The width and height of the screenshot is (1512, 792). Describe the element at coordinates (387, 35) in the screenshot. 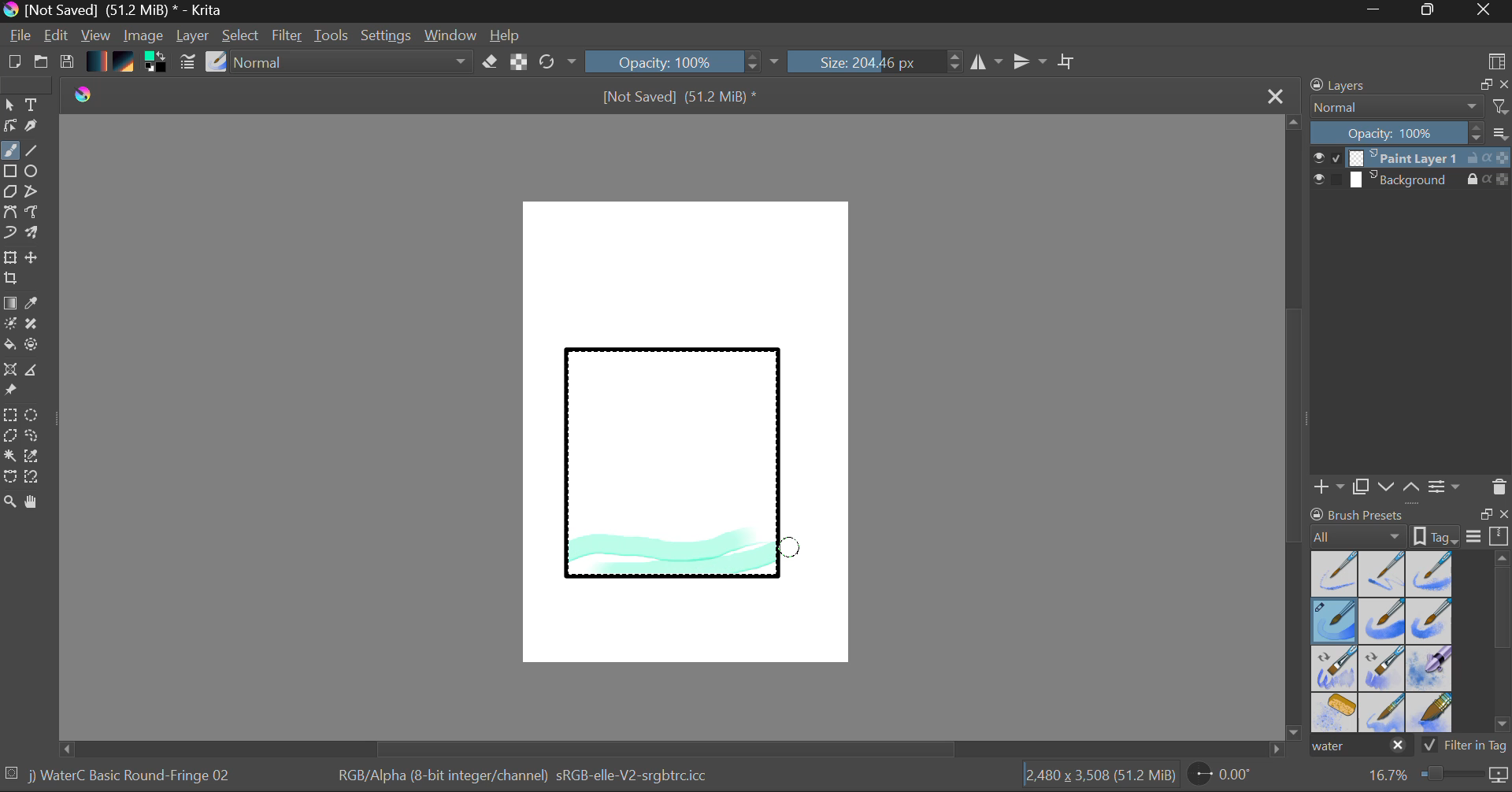

I see `Settings` at that location.